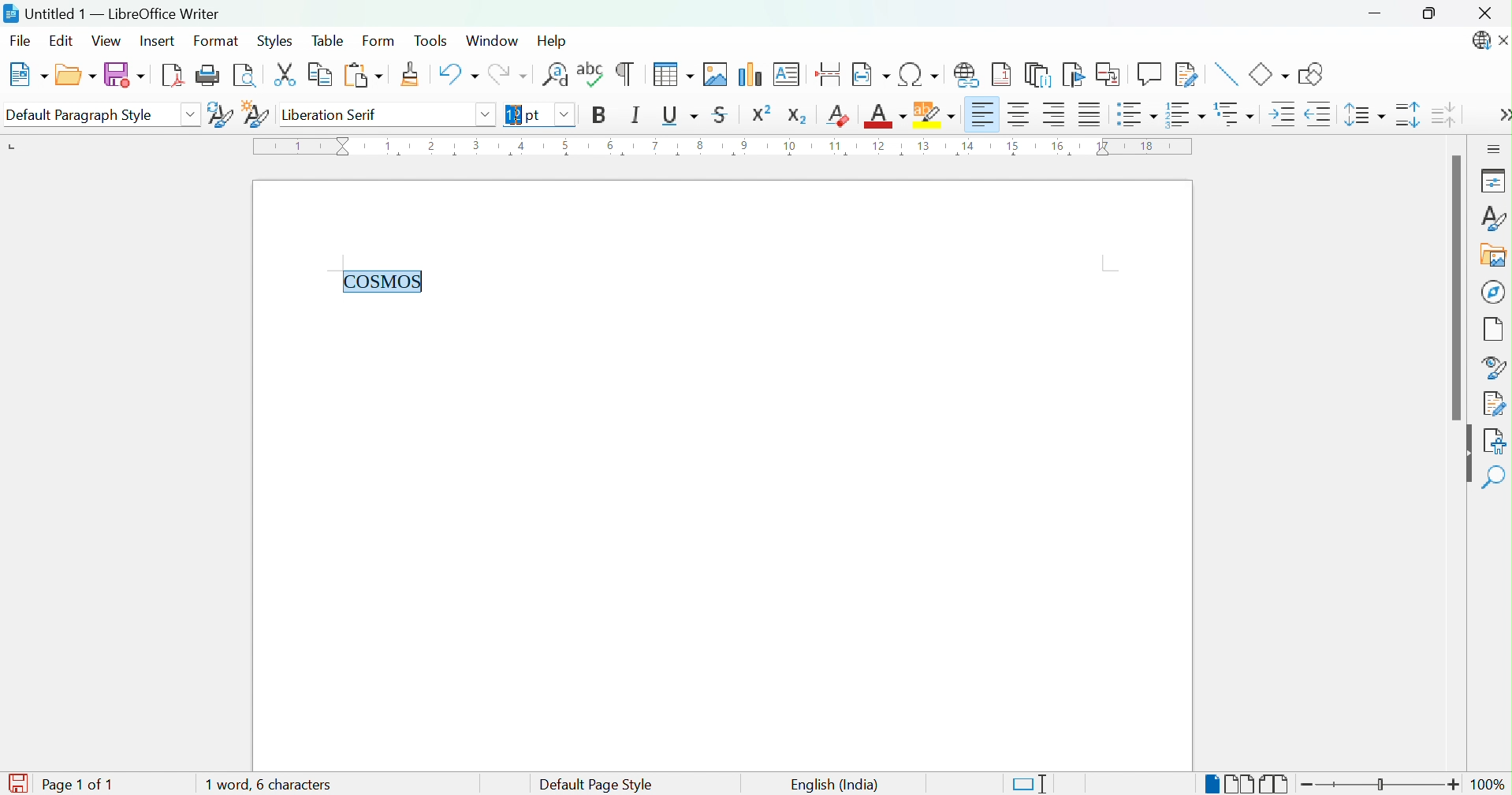 This screenshot has height=795, width=1512. I want to click on Align Left, so click(982, 114).